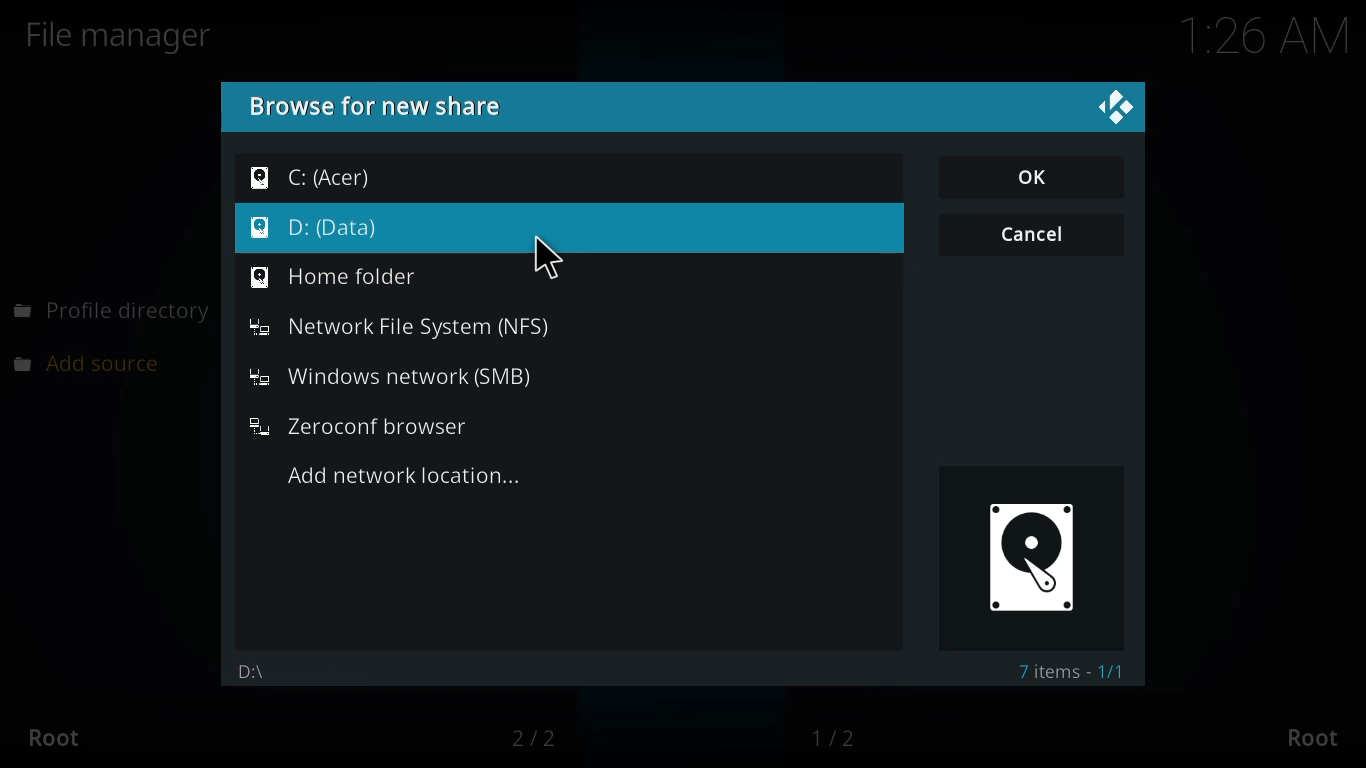 The height and width of the screenshot is (768, 1366). I want to click on drive, so click(1024, 560).